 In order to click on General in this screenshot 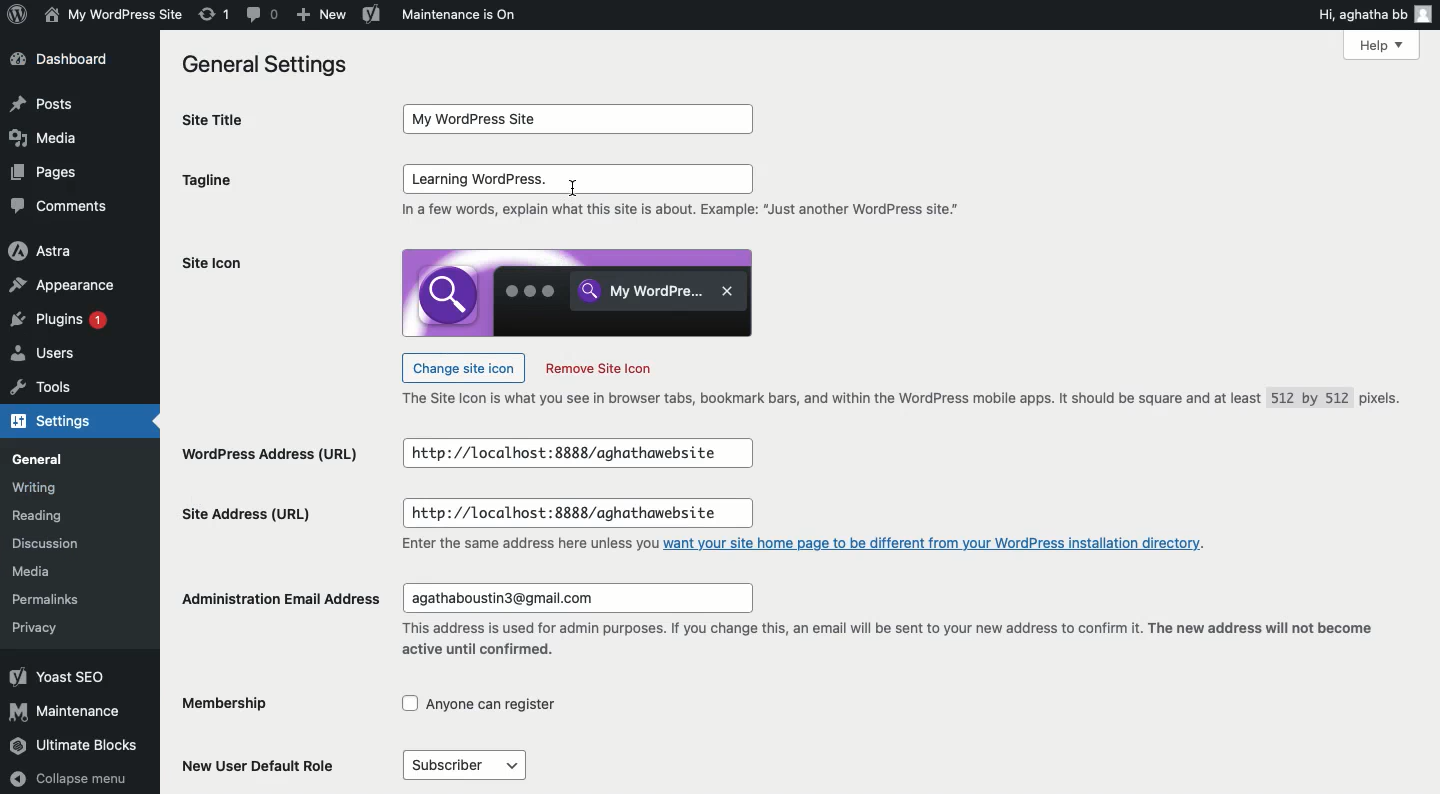, I will do `click(42, 460)`.